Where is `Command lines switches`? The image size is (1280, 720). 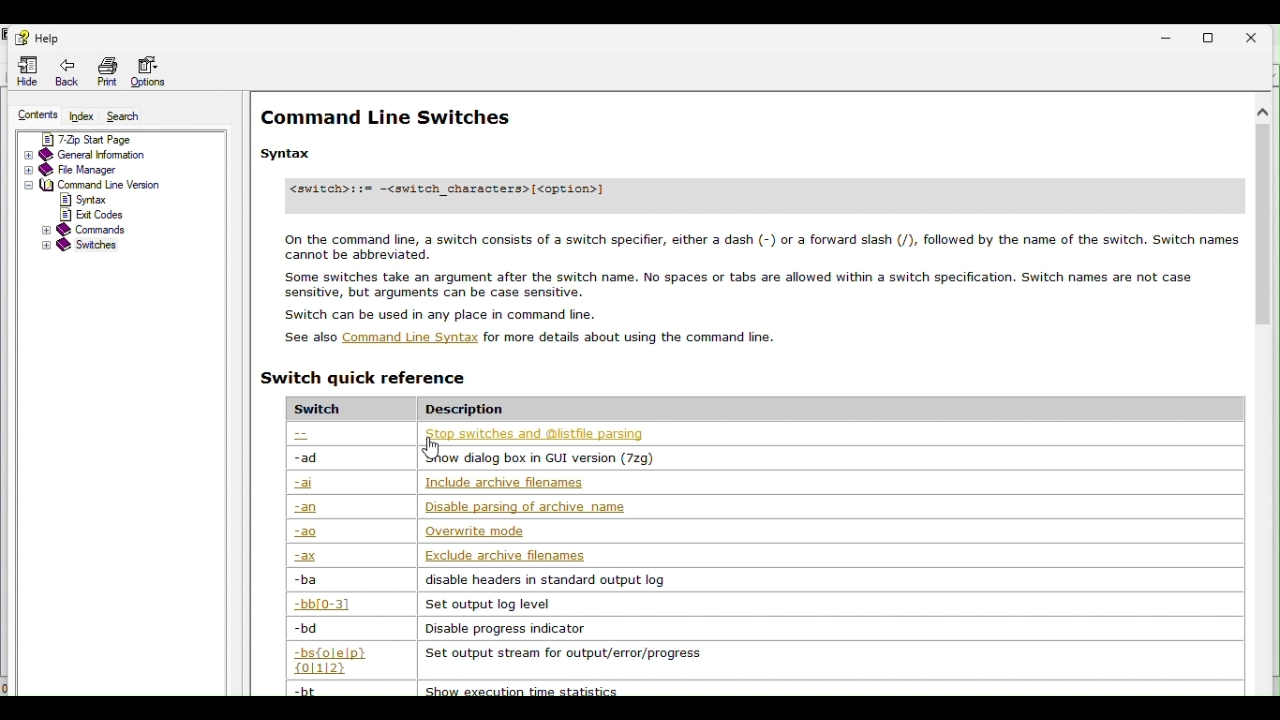
Command lines switches is located at coordinates (391, 116).